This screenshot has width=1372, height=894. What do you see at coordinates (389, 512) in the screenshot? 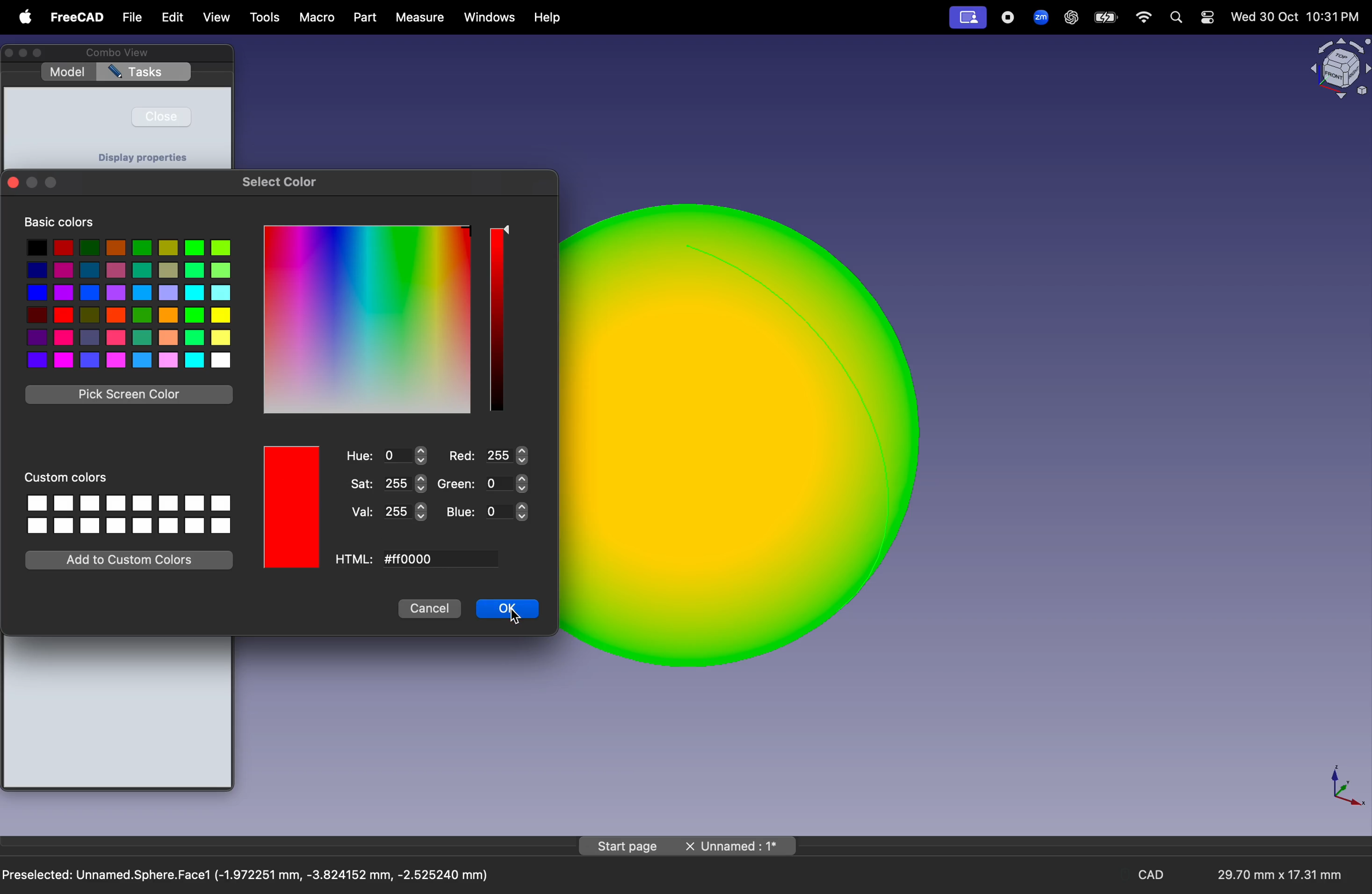
I see `val` at bounding box center [389, 512].